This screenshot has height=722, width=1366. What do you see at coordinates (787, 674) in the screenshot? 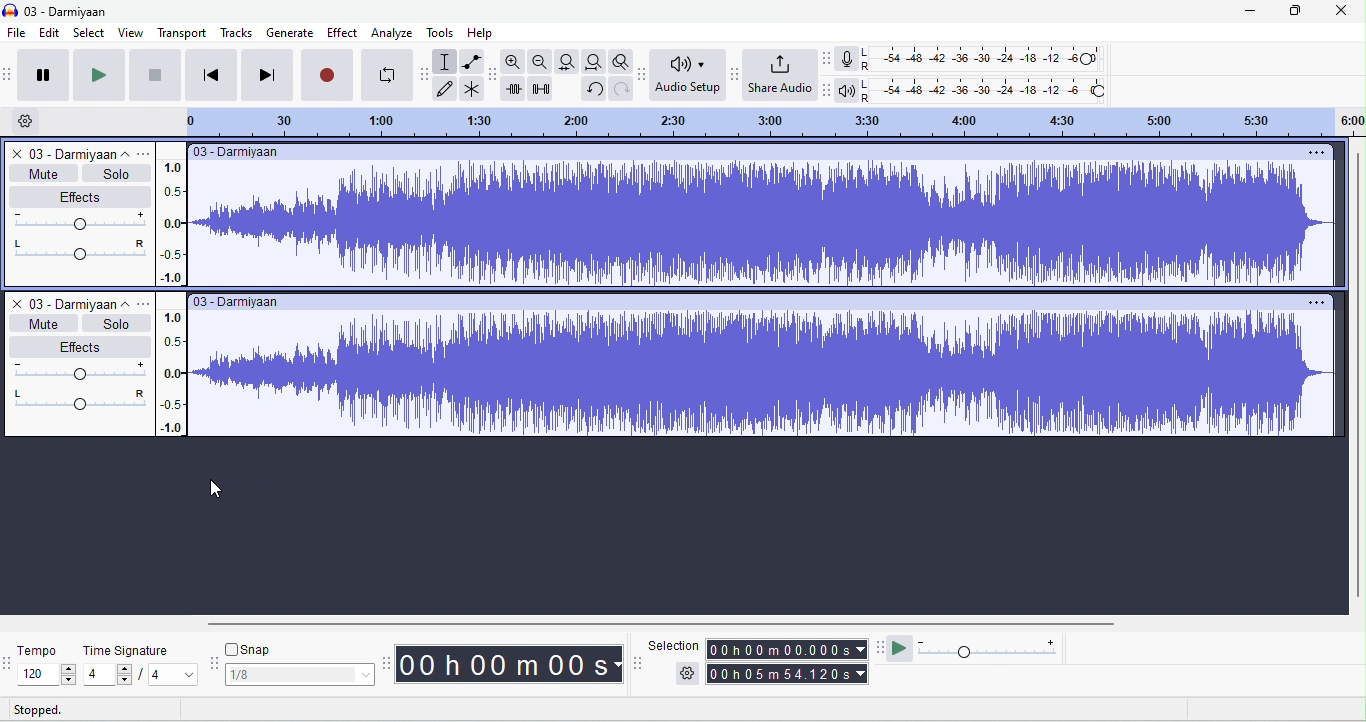
I see `total time` at bounding box center [787, 674].